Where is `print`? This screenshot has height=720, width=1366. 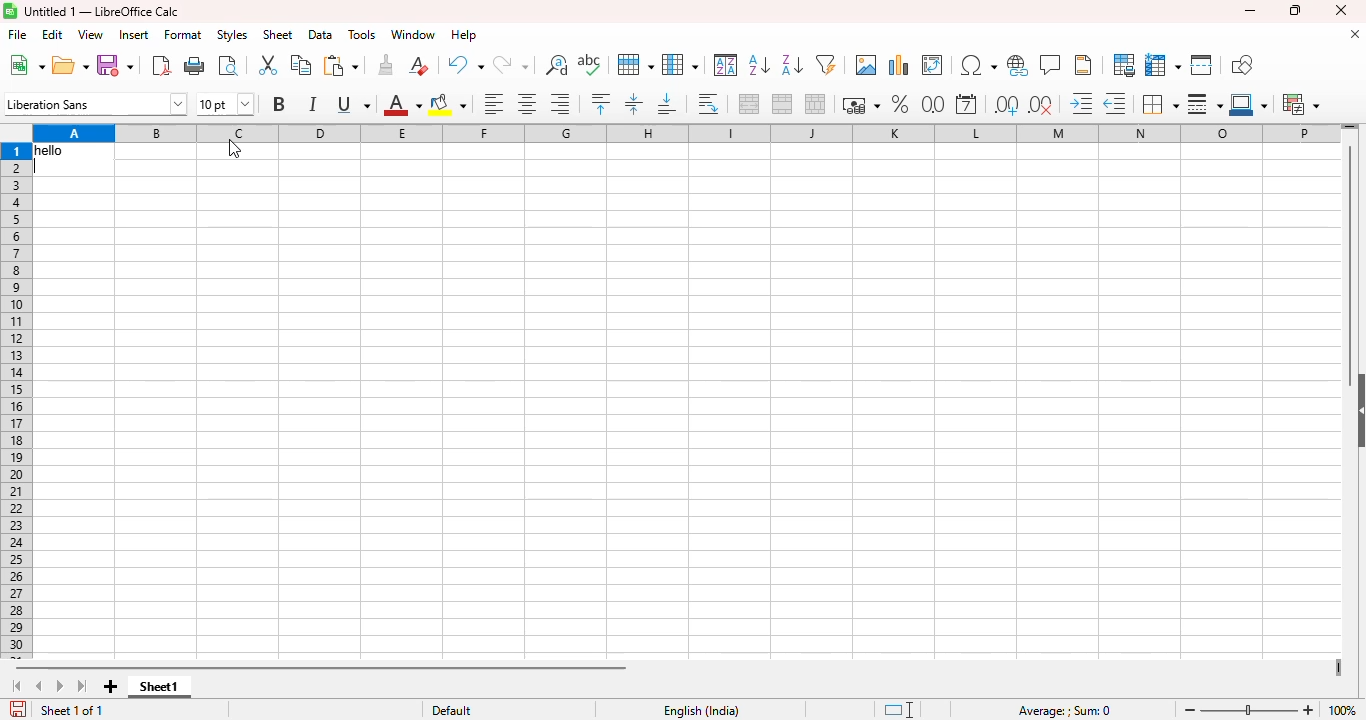 print is located at coordinates (196, 65).